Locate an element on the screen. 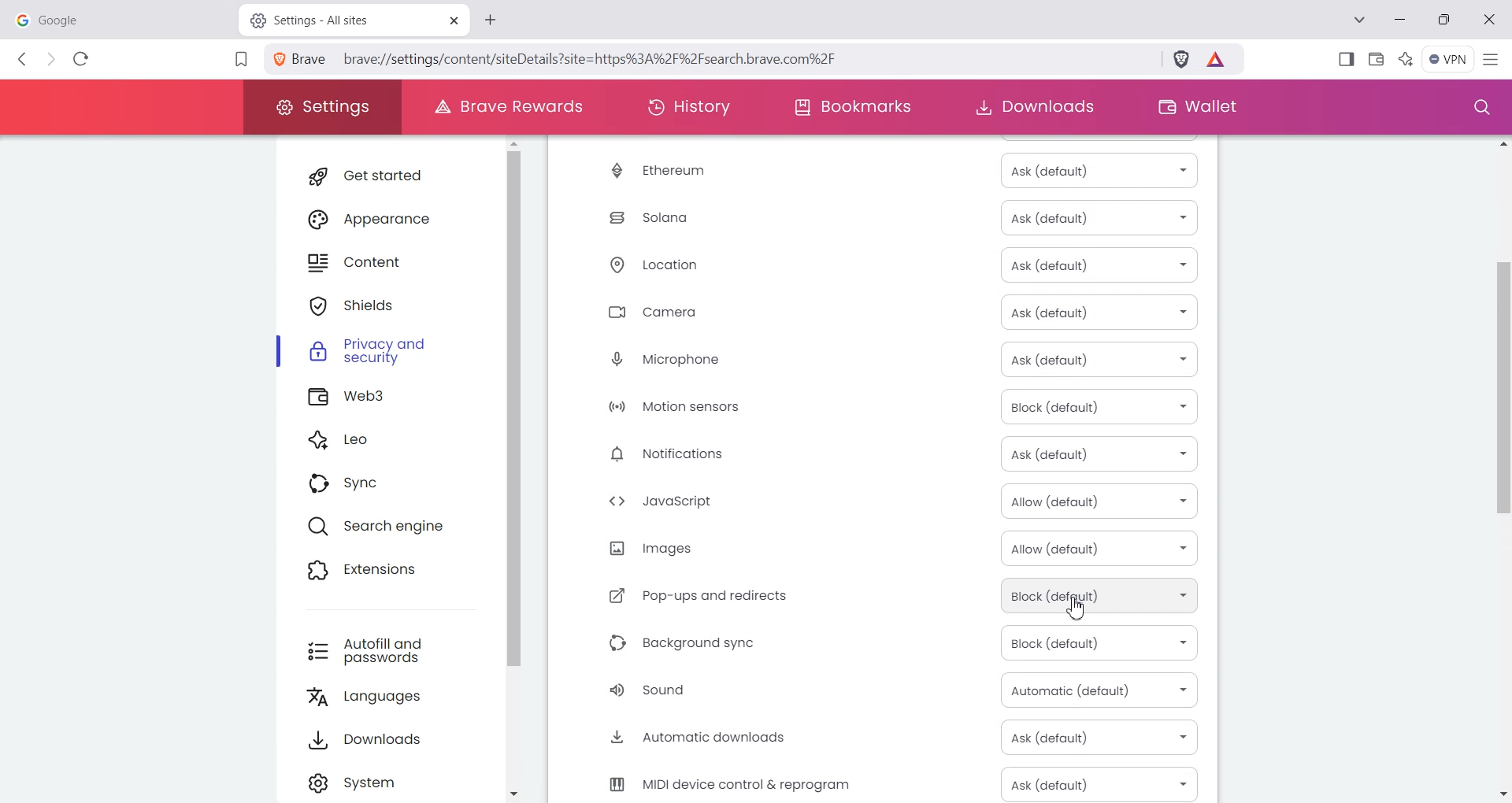  Search window is located at coordinates (1478, 108).